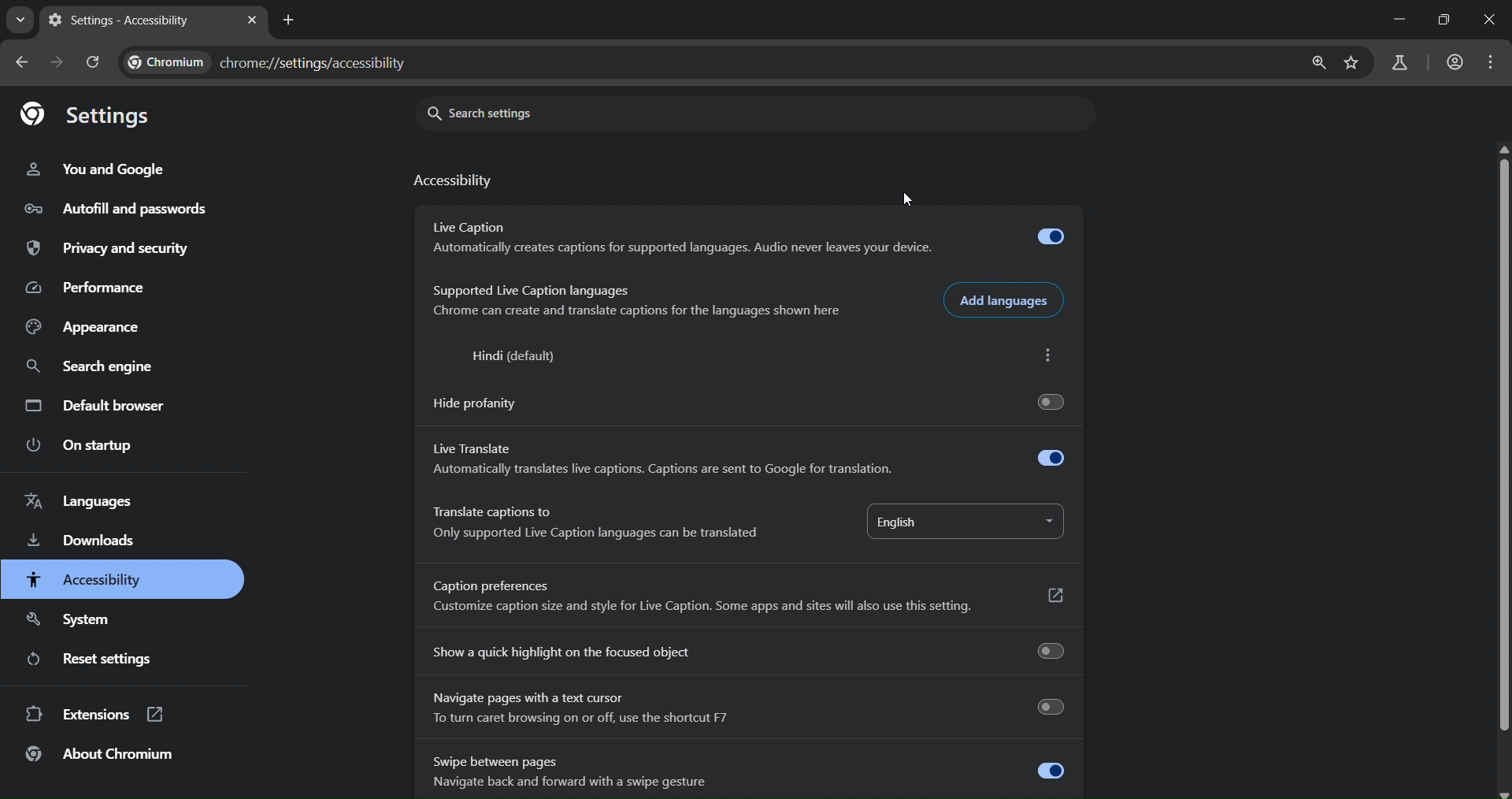  I want to click on menu, so click(1492, 61).